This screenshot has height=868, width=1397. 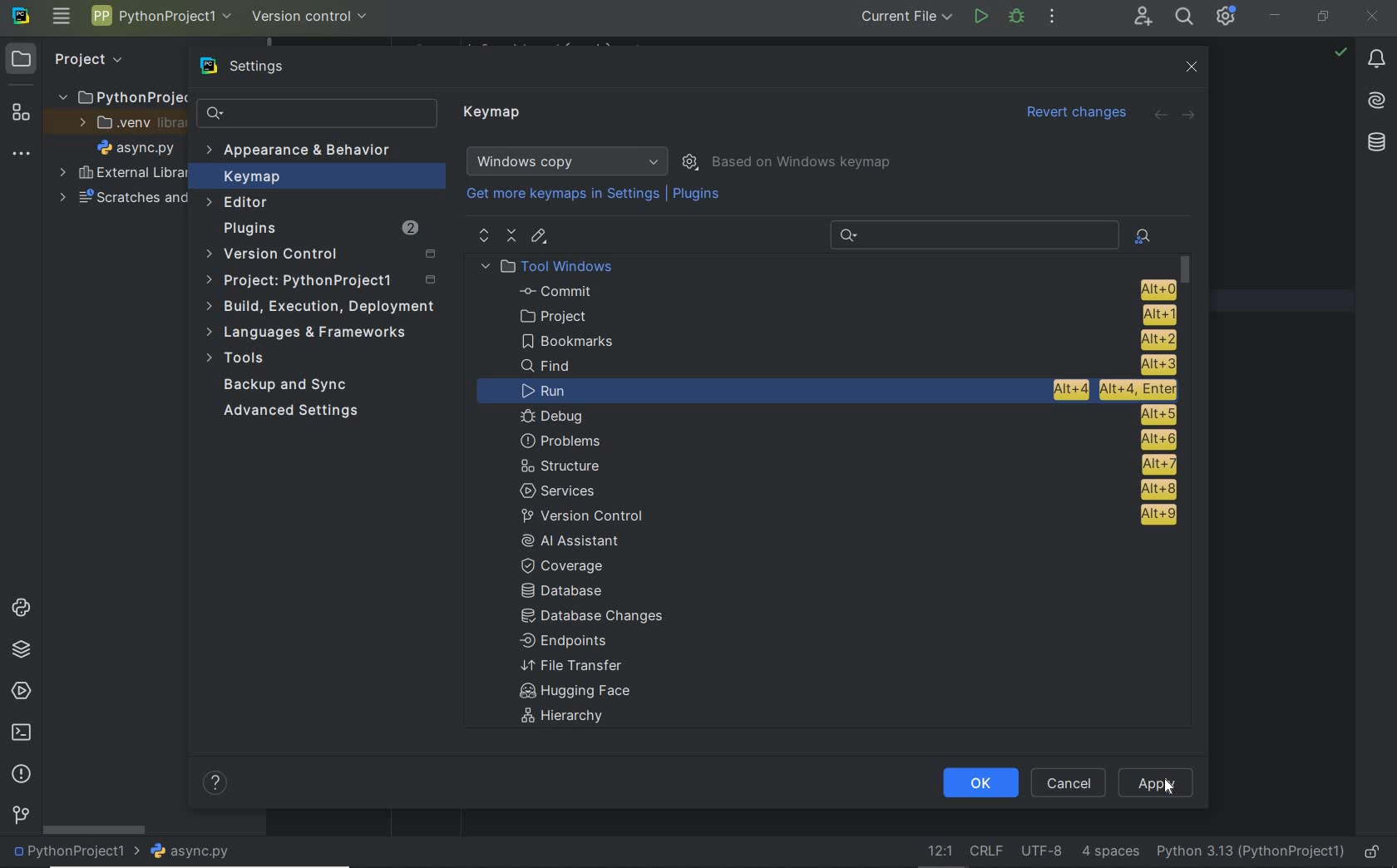 I want to click on Debug, so click(x=846, y=416).